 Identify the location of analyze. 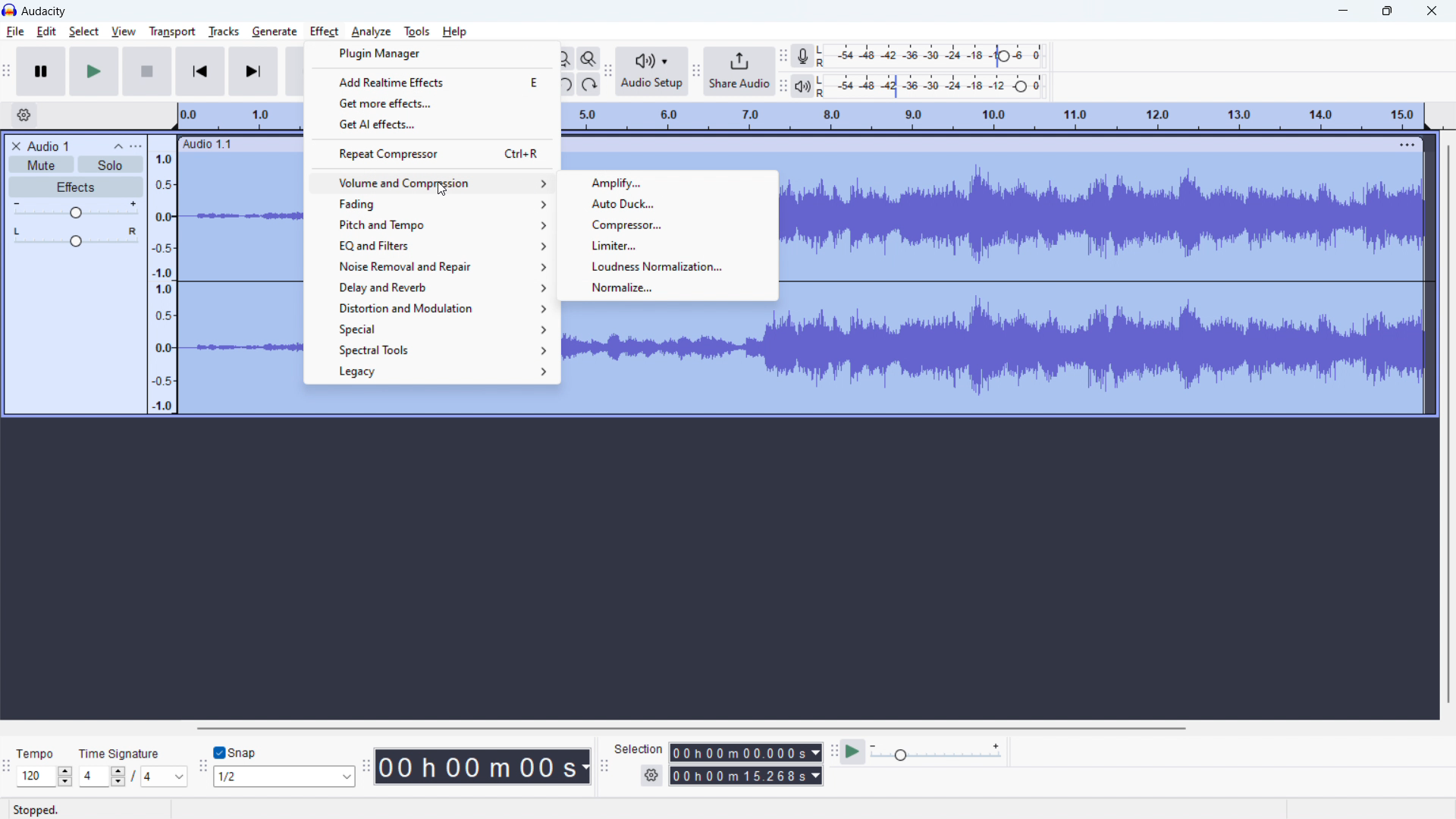
(370, 33).